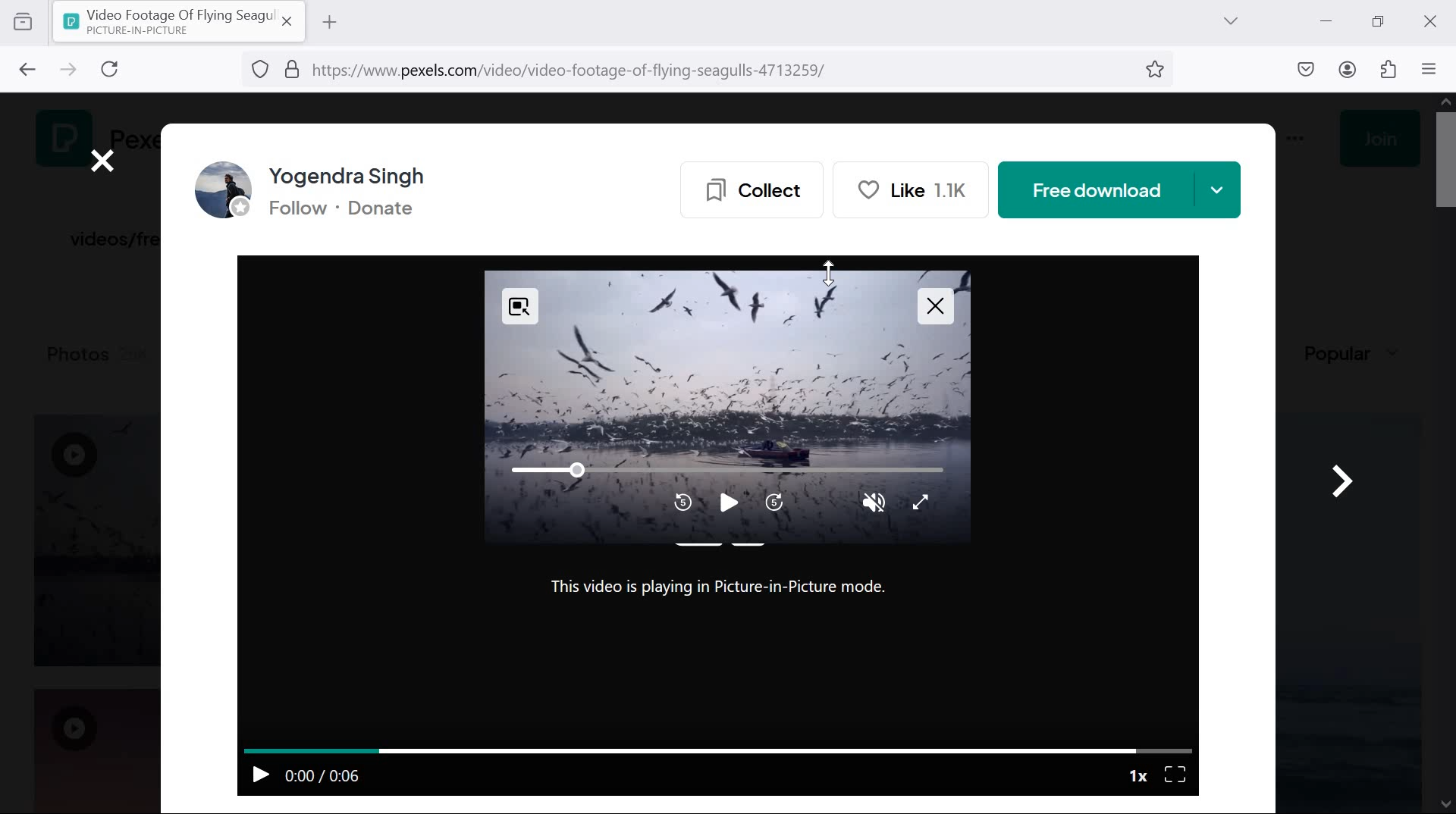 The image size is (1456, 814). What do you see at coordinates (68, 71) in the screenshot?
I see `go to next page` at bounding box center [68, 71].